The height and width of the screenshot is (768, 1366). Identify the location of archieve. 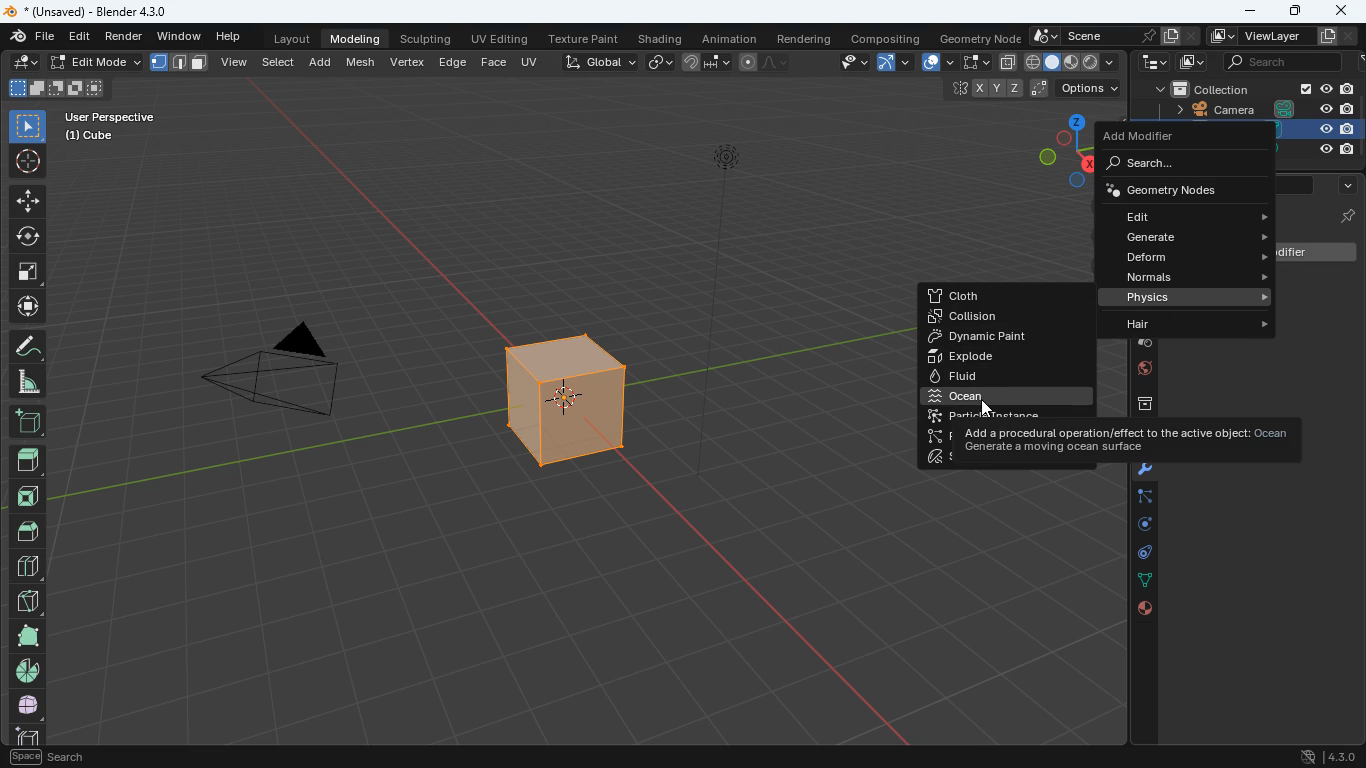
(1137, 406).